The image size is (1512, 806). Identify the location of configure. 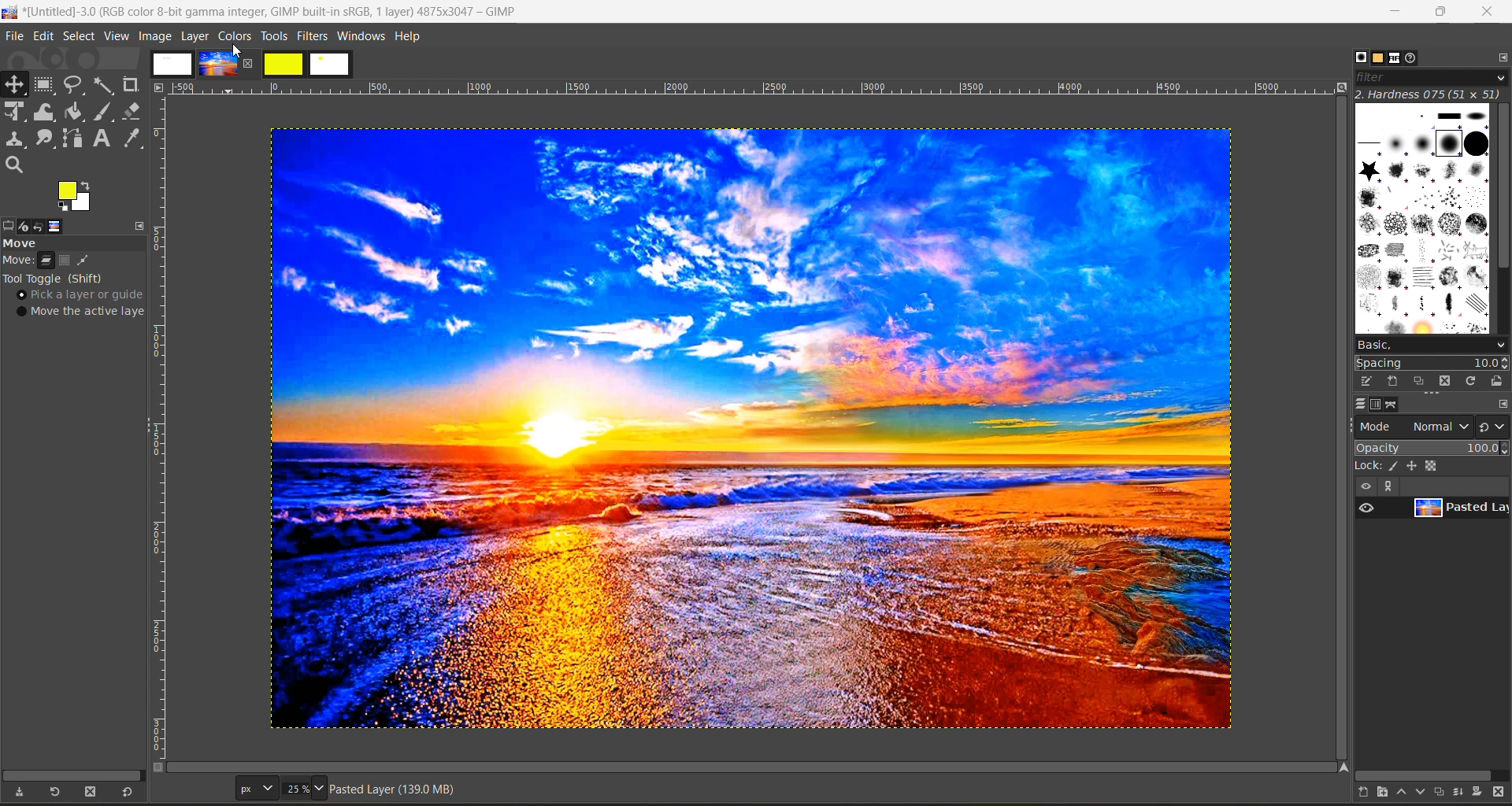
(1499, 57).